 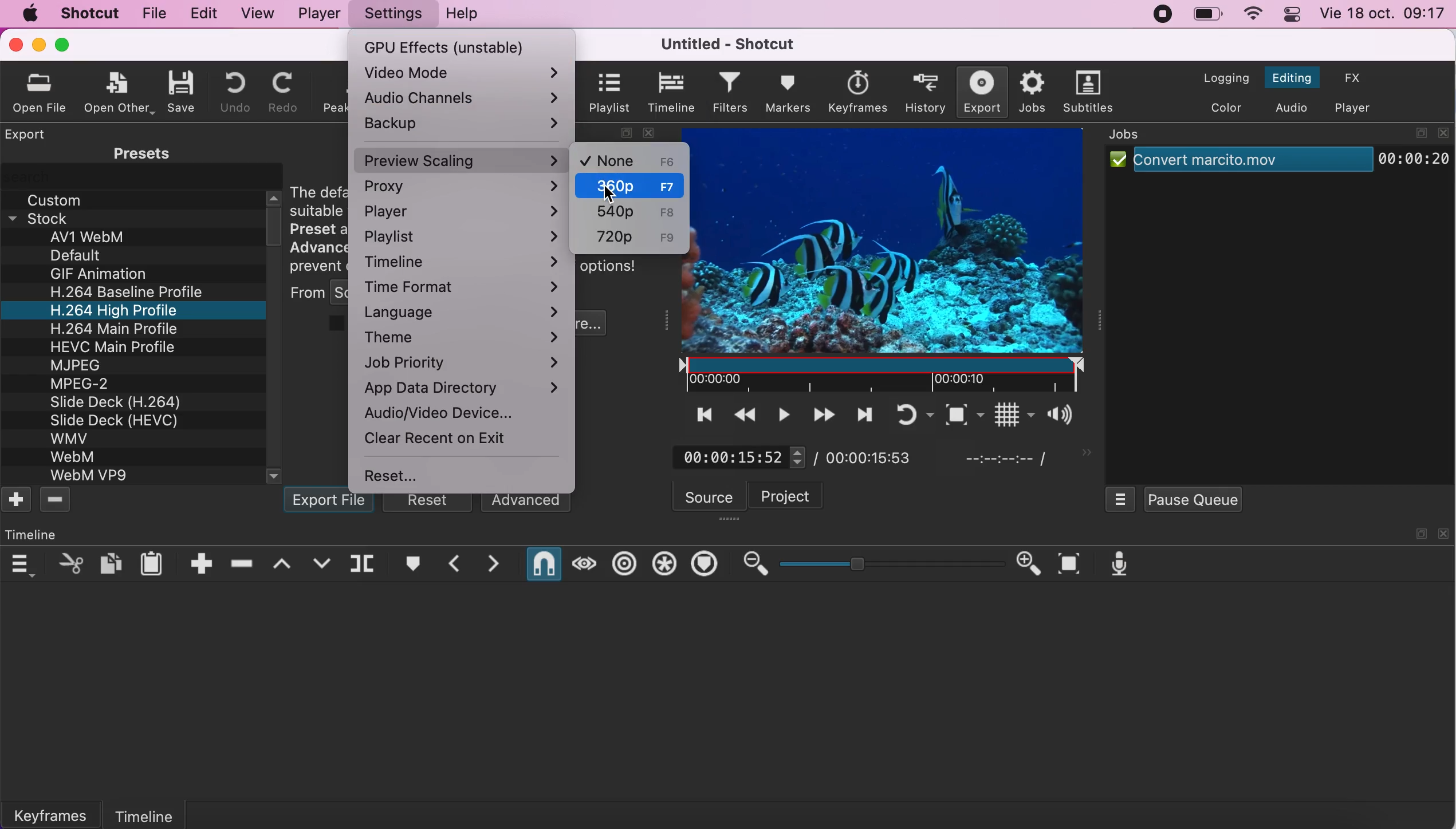 What do you see at coordinates (464, 188) in the screenshot?
I see `proxy` at bounding box center [464, 188].